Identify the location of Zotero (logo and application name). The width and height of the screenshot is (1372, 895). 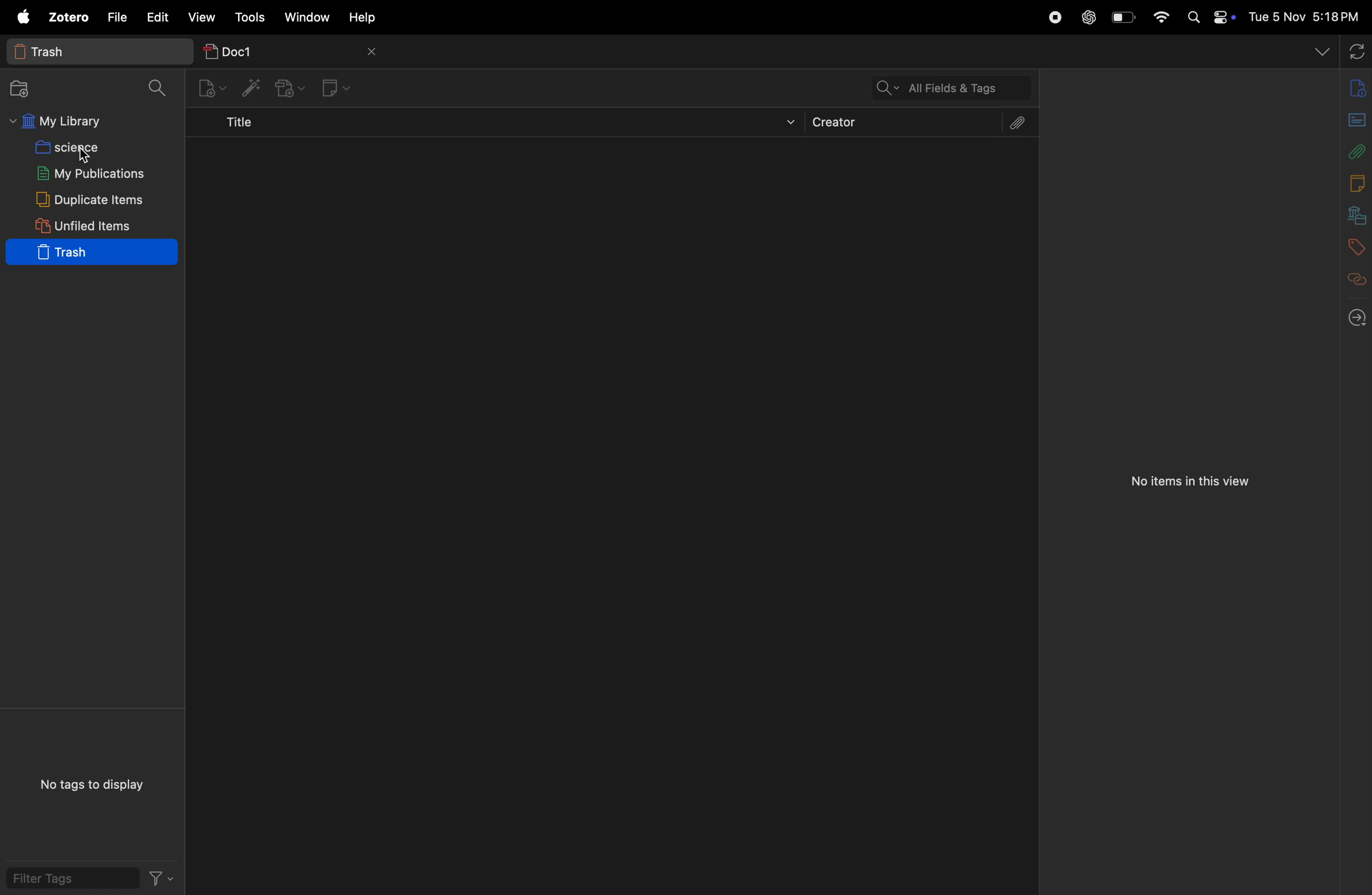
(51, 17).